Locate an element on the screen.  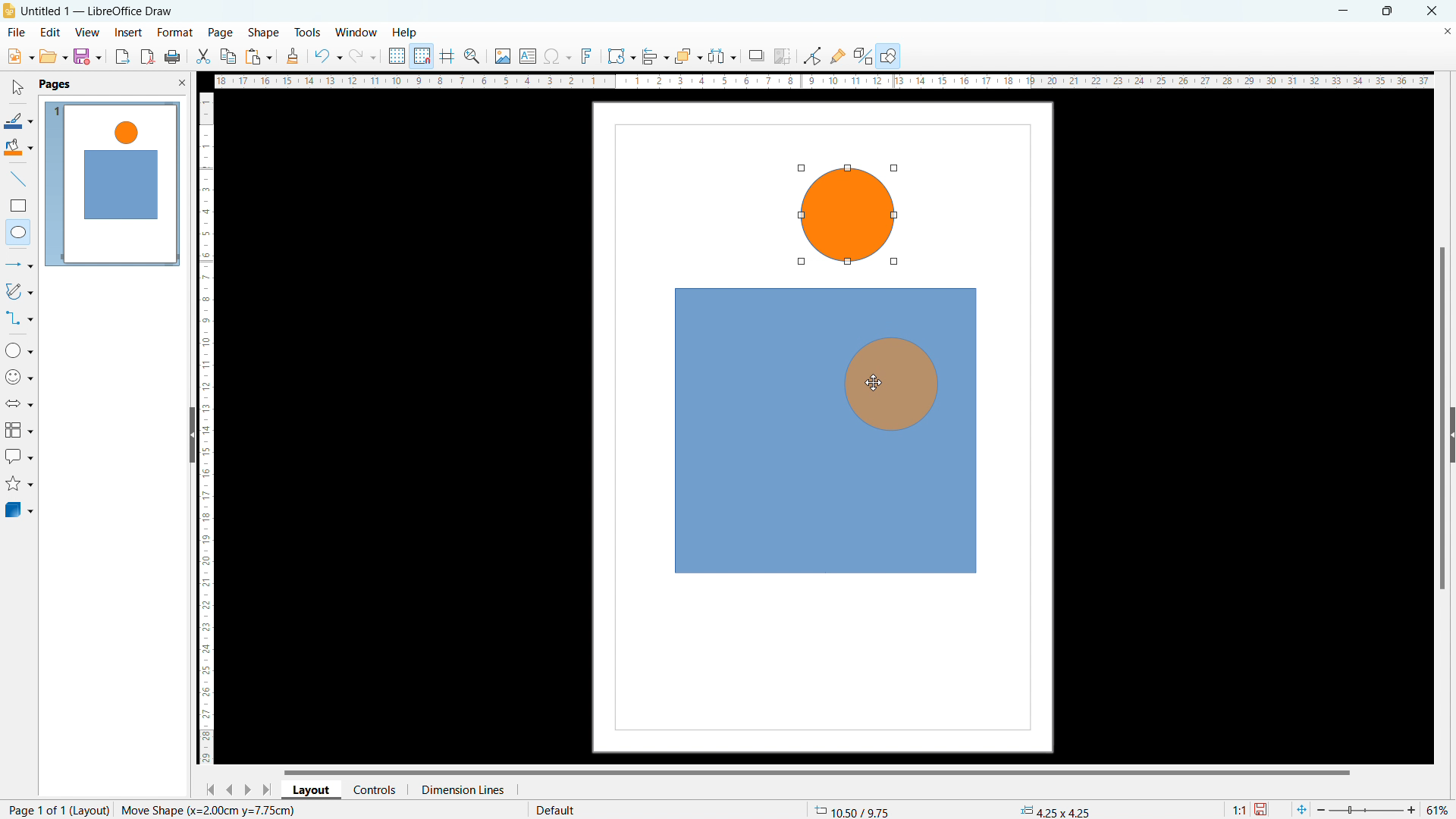
3D objects is located at coordinates (18, 509).